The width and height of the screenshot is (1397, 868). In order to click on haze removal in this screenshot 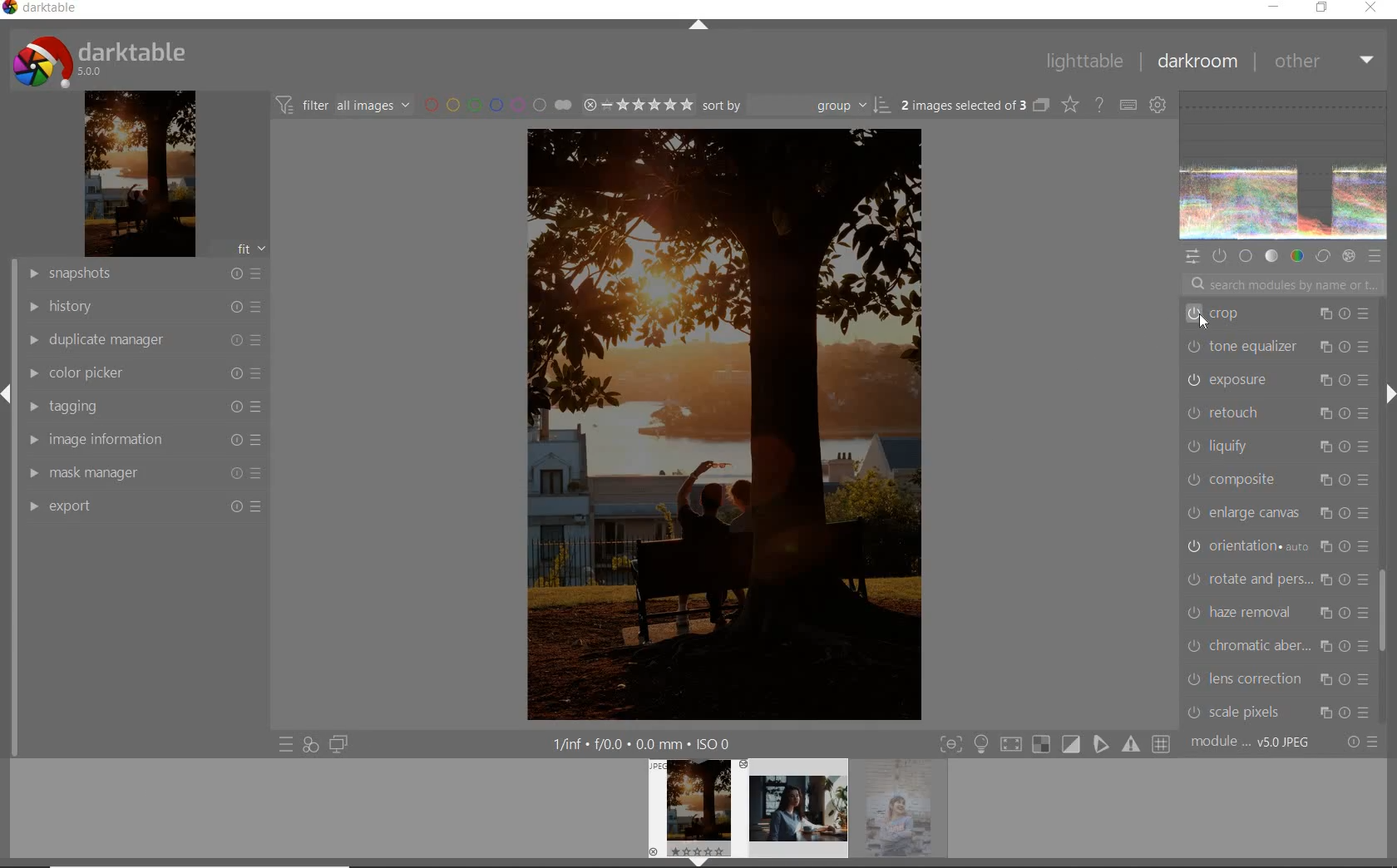, I will do `click(1277, 611)`.